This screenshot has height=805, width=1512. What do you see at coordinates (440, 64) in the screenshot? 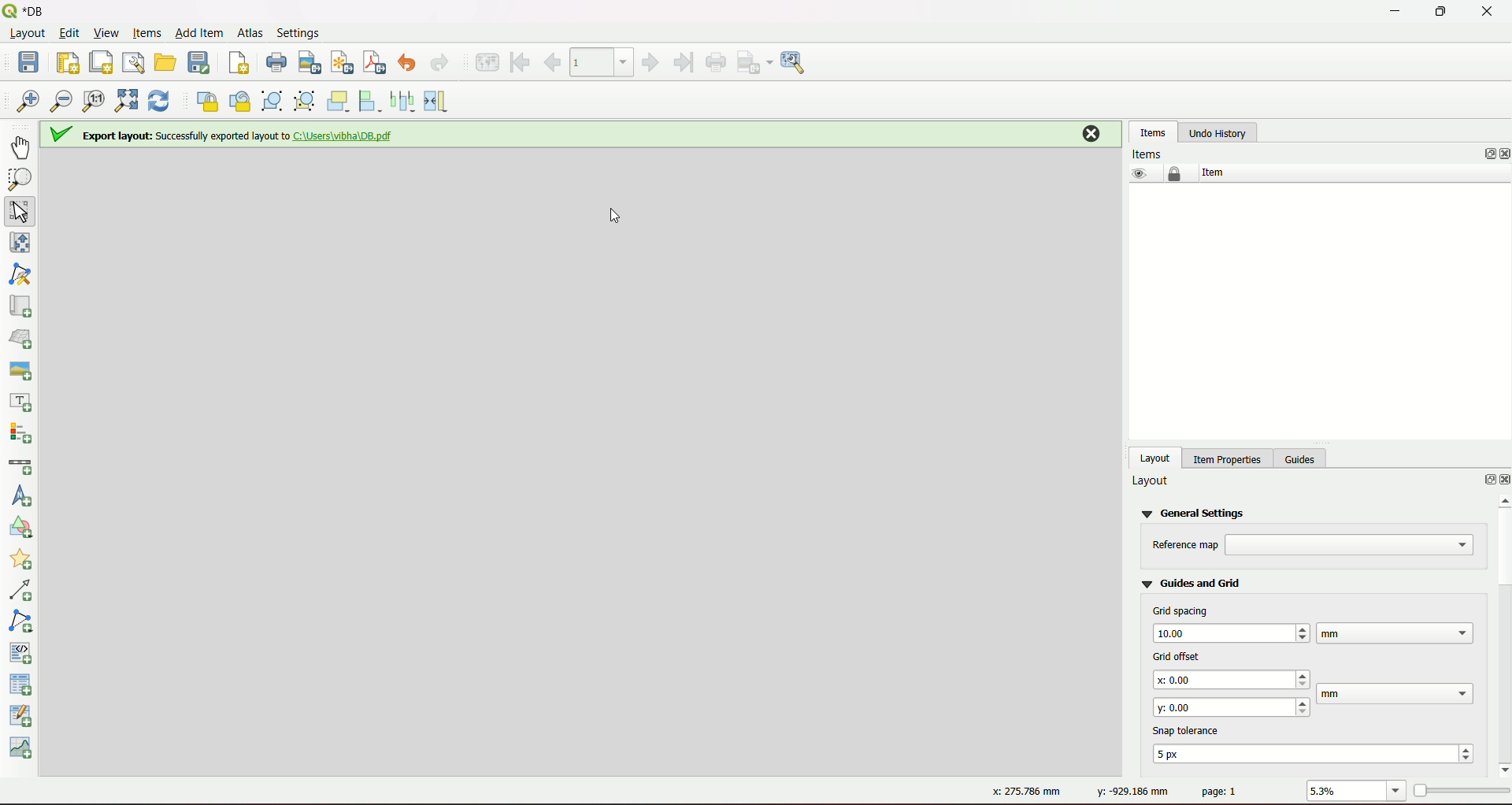
I see `redo` at bounding box center [440, 64].